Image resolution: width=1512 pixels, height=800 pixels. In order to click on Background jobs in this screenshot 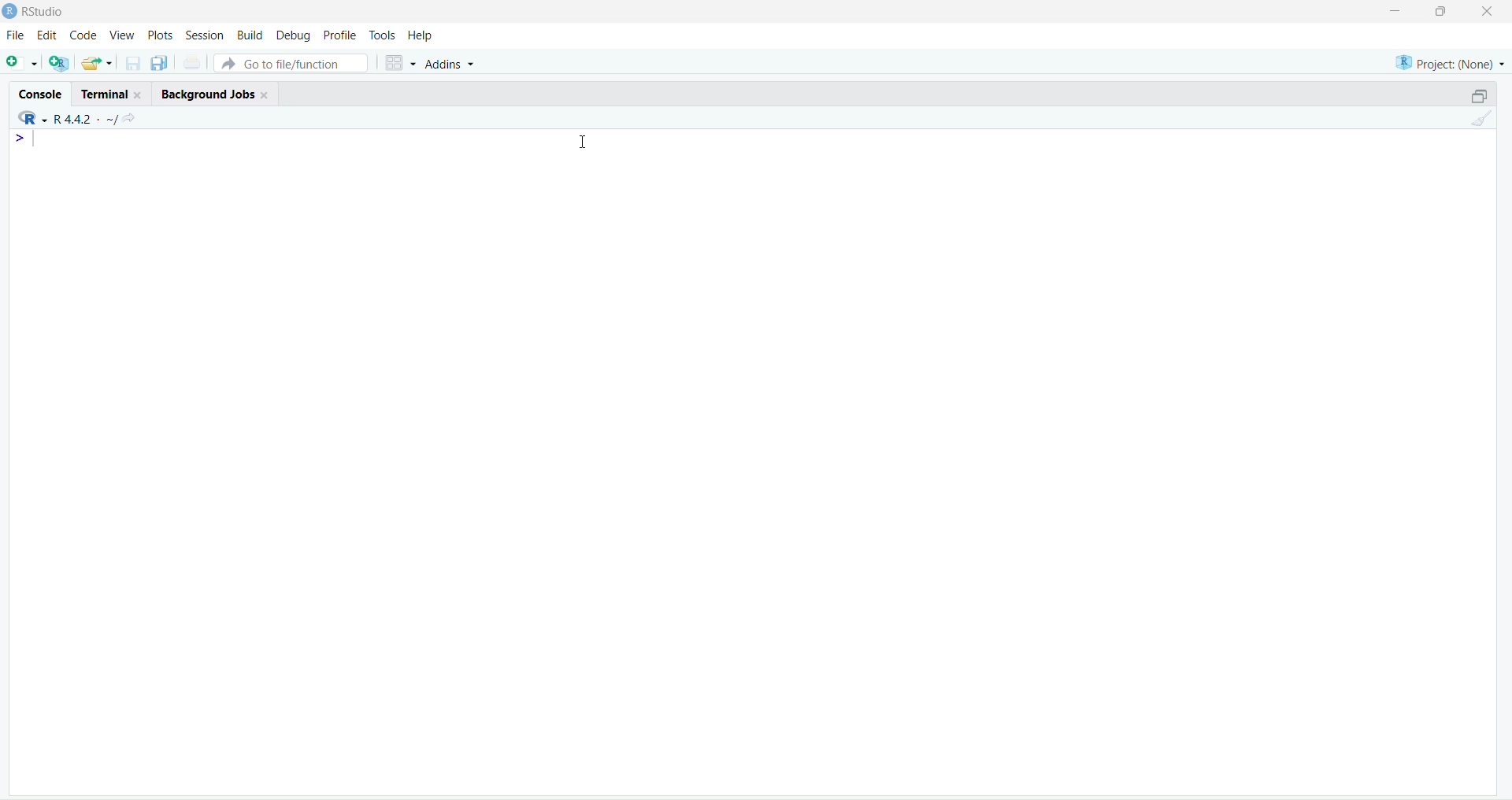, I will do `click(208, 95)`.